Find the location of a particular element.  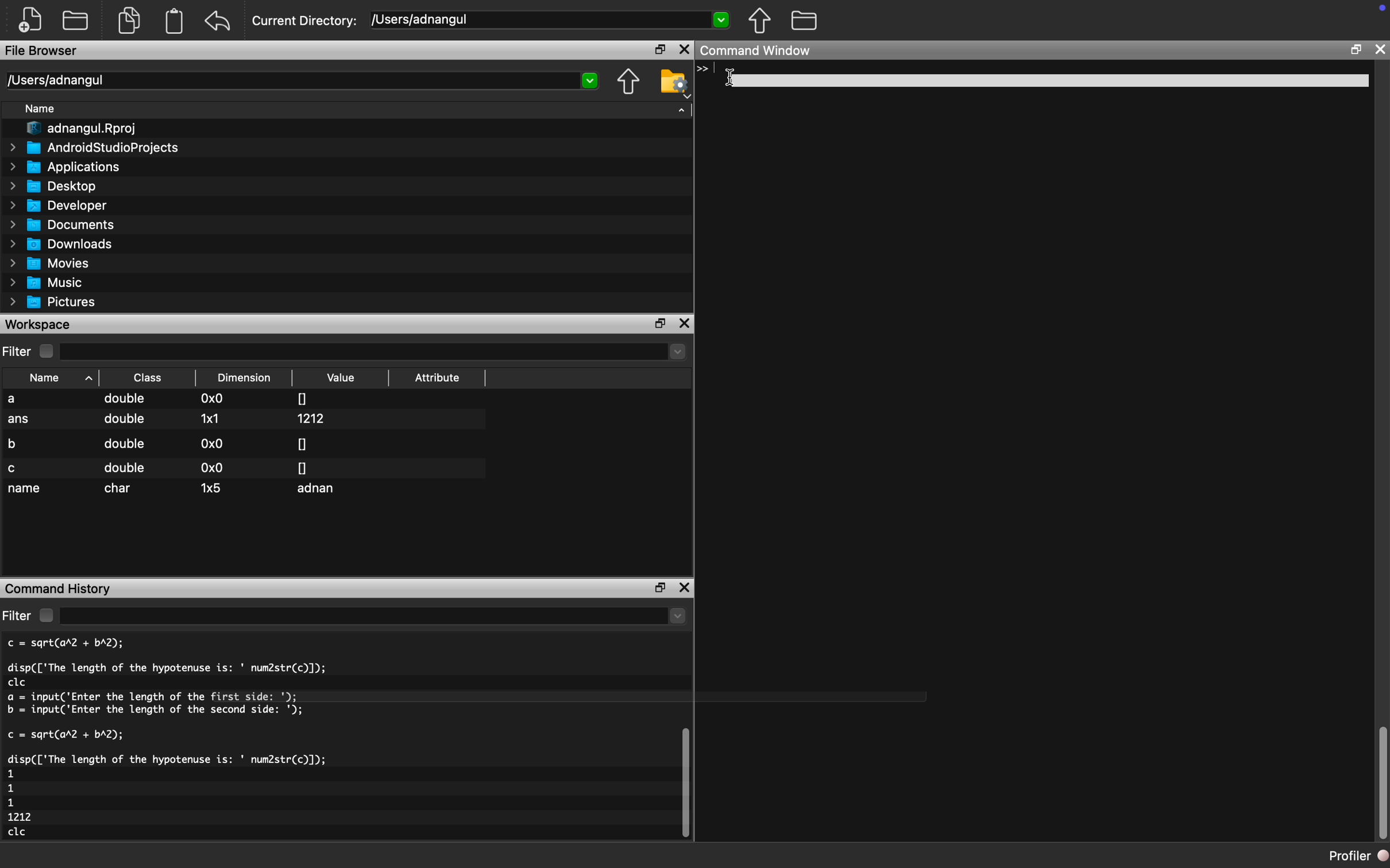

move up is located at coordinates (628, 83).